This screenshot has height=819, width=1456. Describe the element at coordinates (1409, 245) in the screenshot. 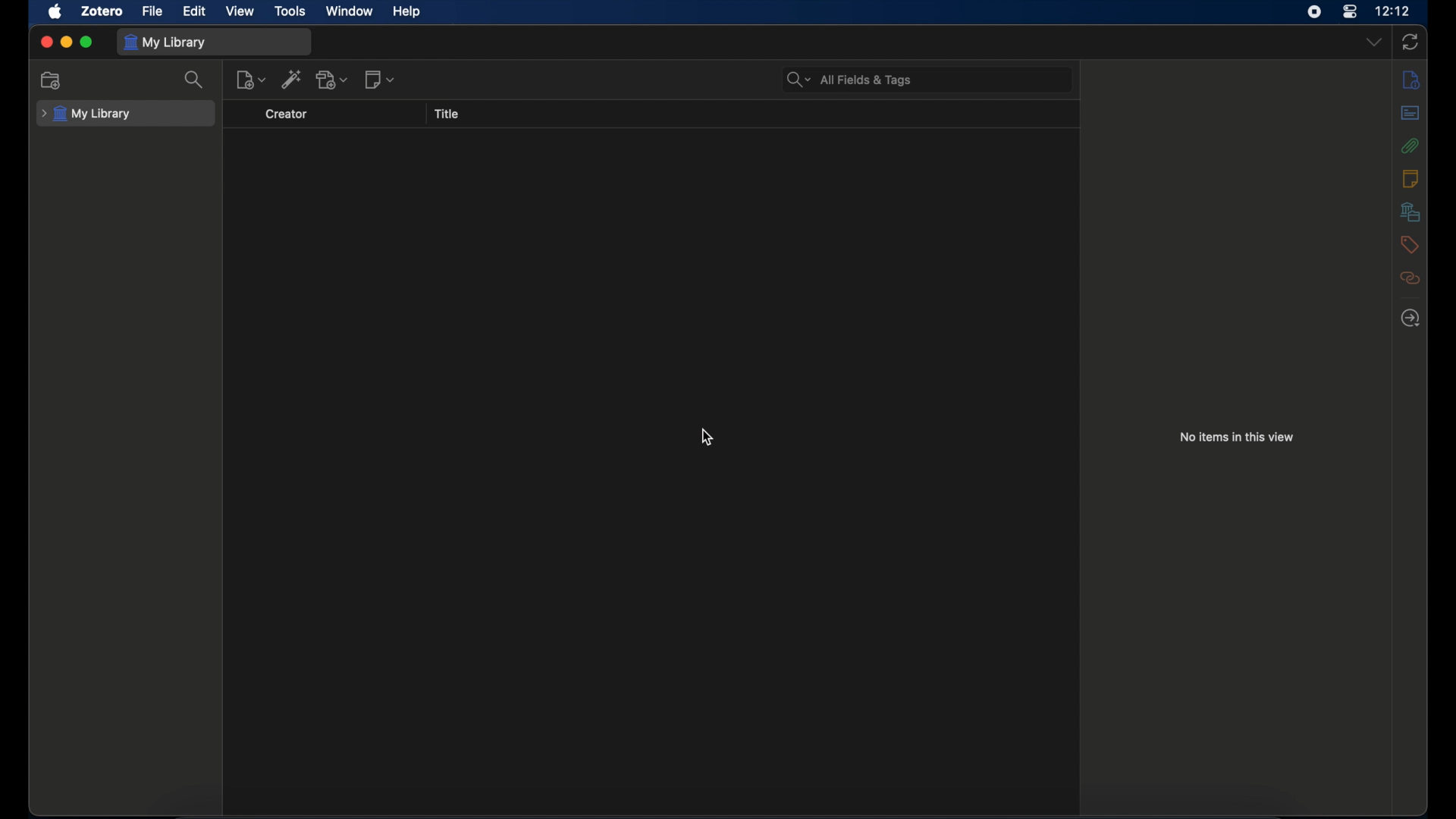

I see `tags` at that location.